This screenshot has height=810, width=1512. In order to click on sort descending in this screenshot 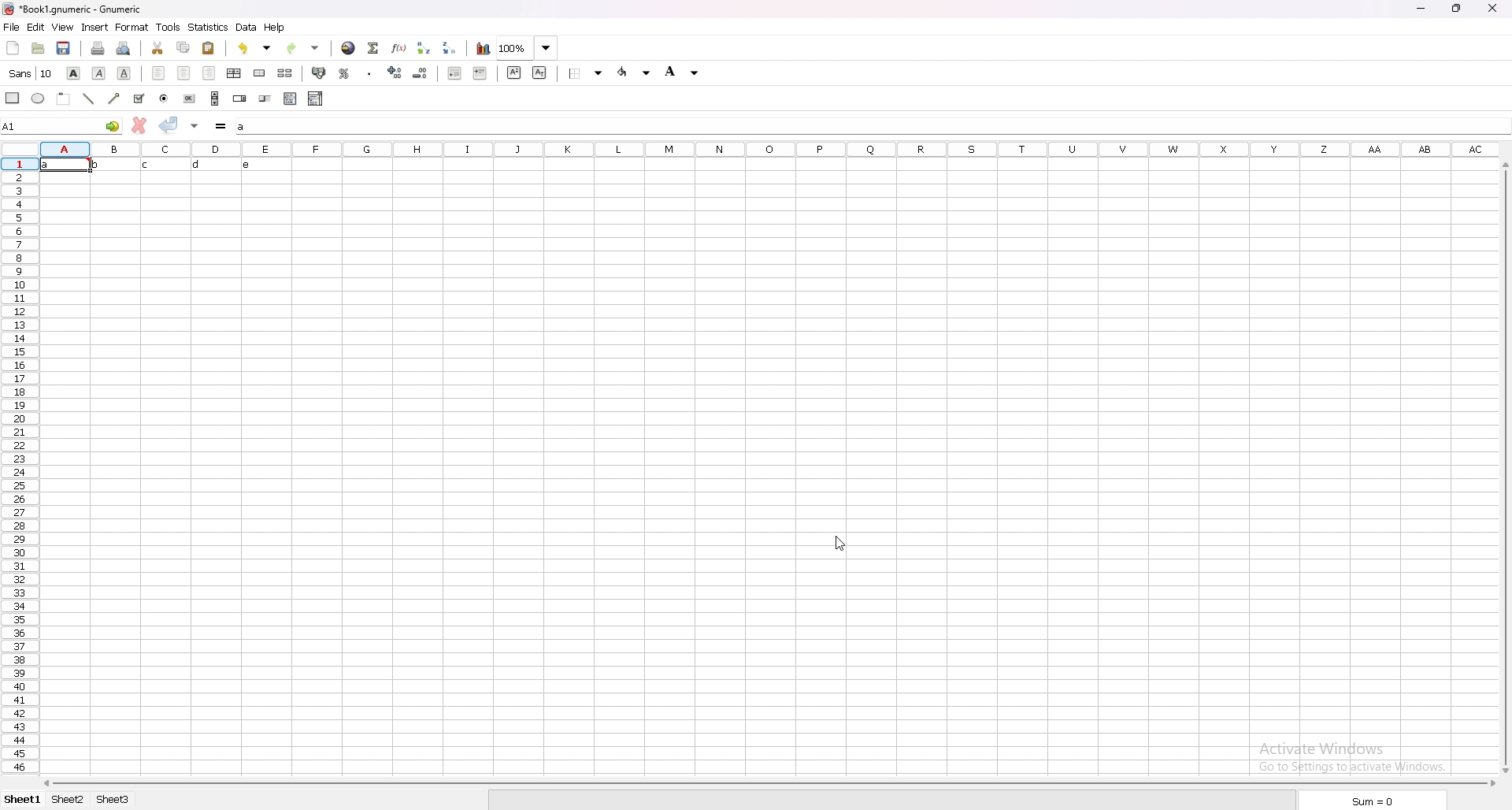, I will do `click(450, 48)`.